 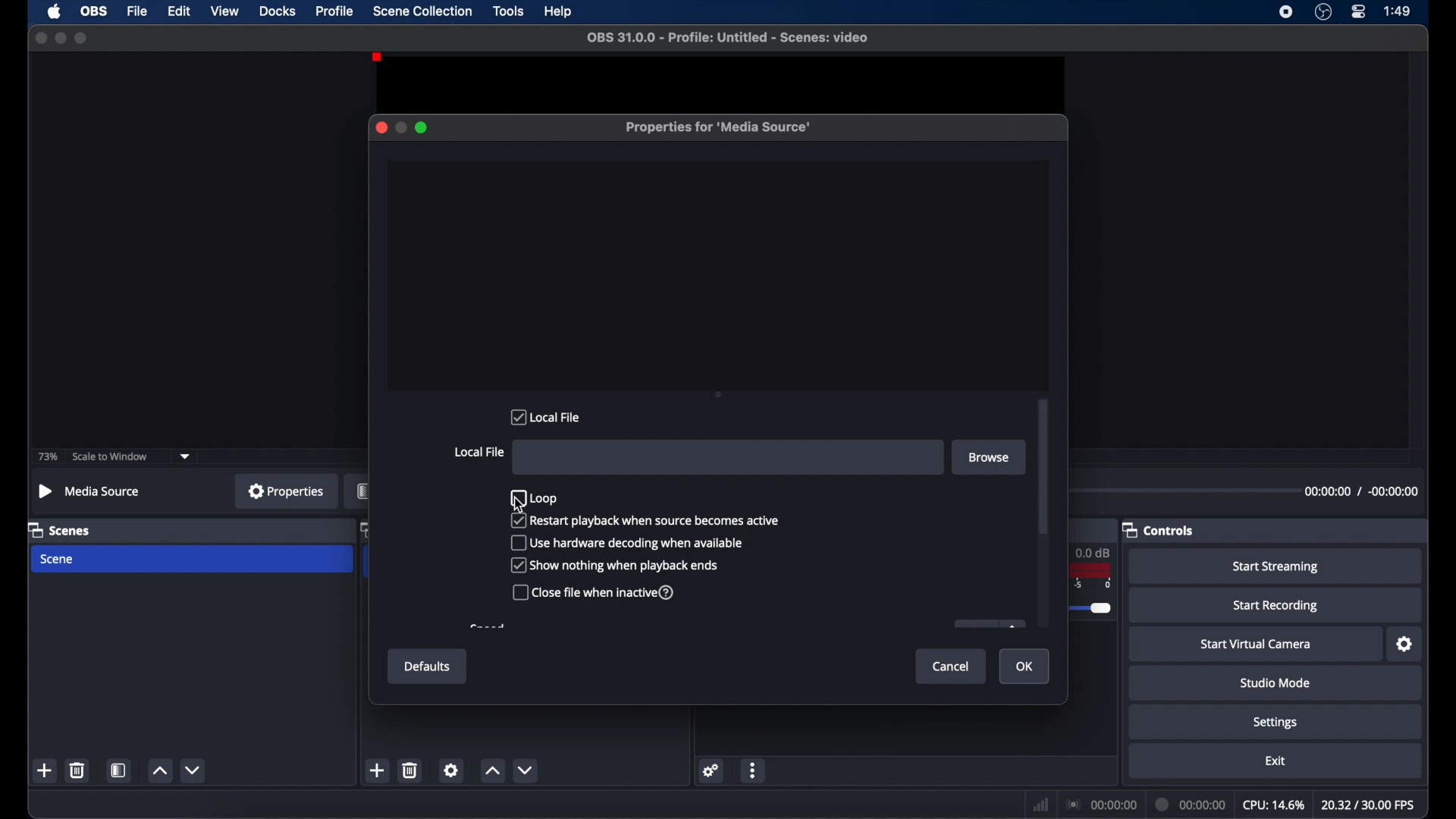 I want to click on duration, so click(x=1192, y=803).